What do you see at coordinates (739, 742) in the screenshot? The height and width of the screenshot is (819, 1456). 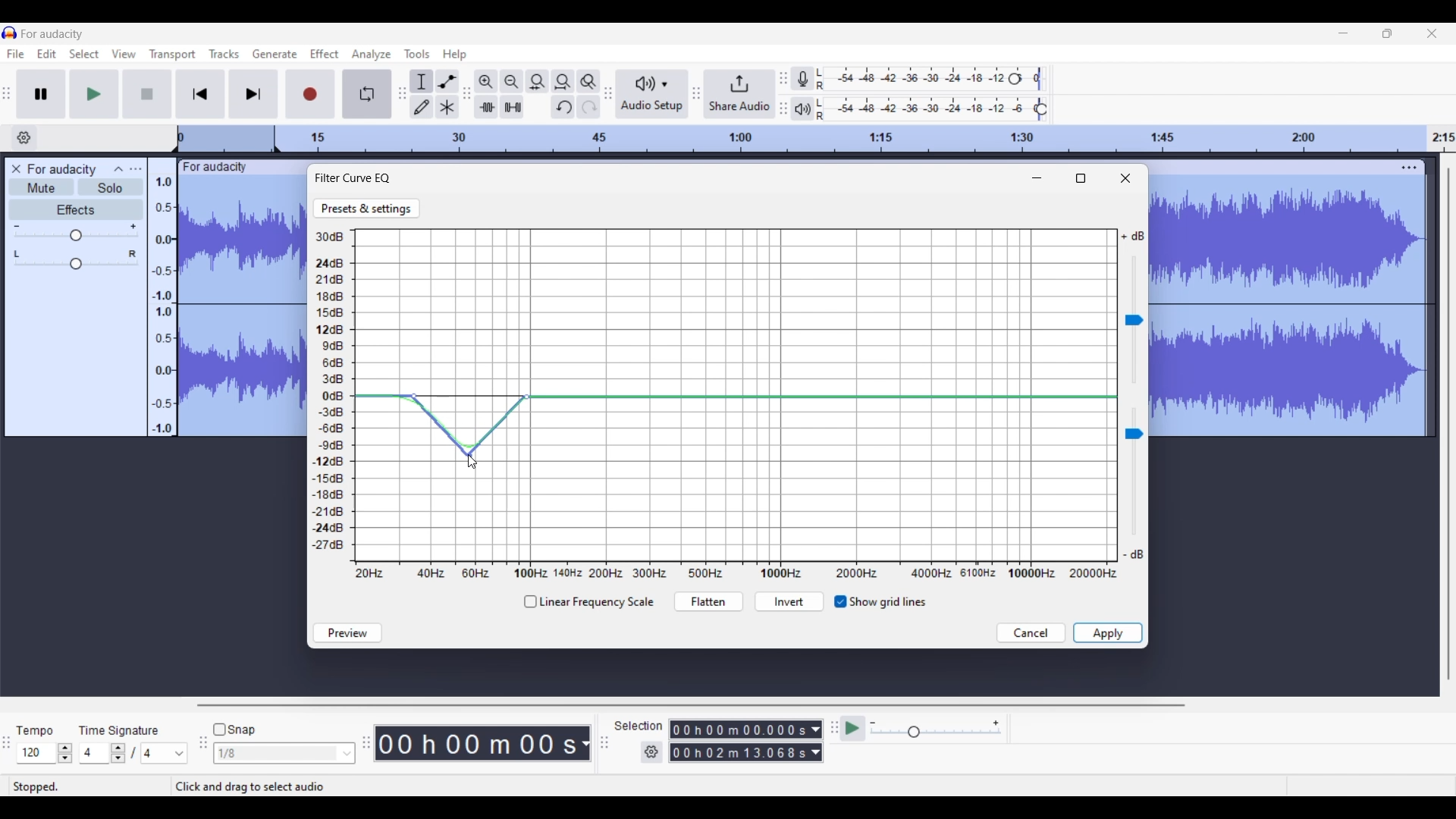 I see `Selection duration` at bounding box center [739, 742].